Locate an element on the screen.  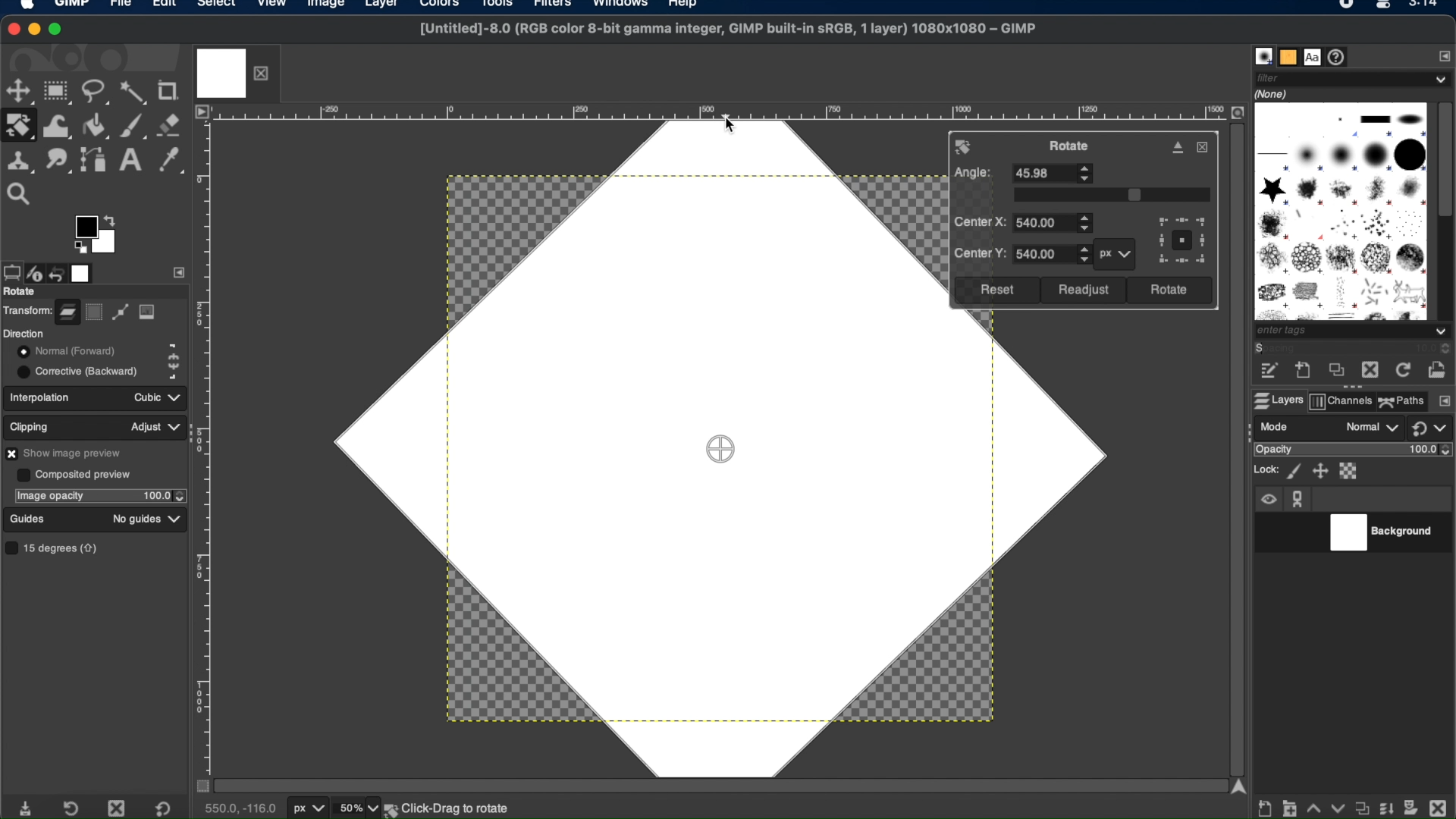
path is located at coordinates (120, 314).